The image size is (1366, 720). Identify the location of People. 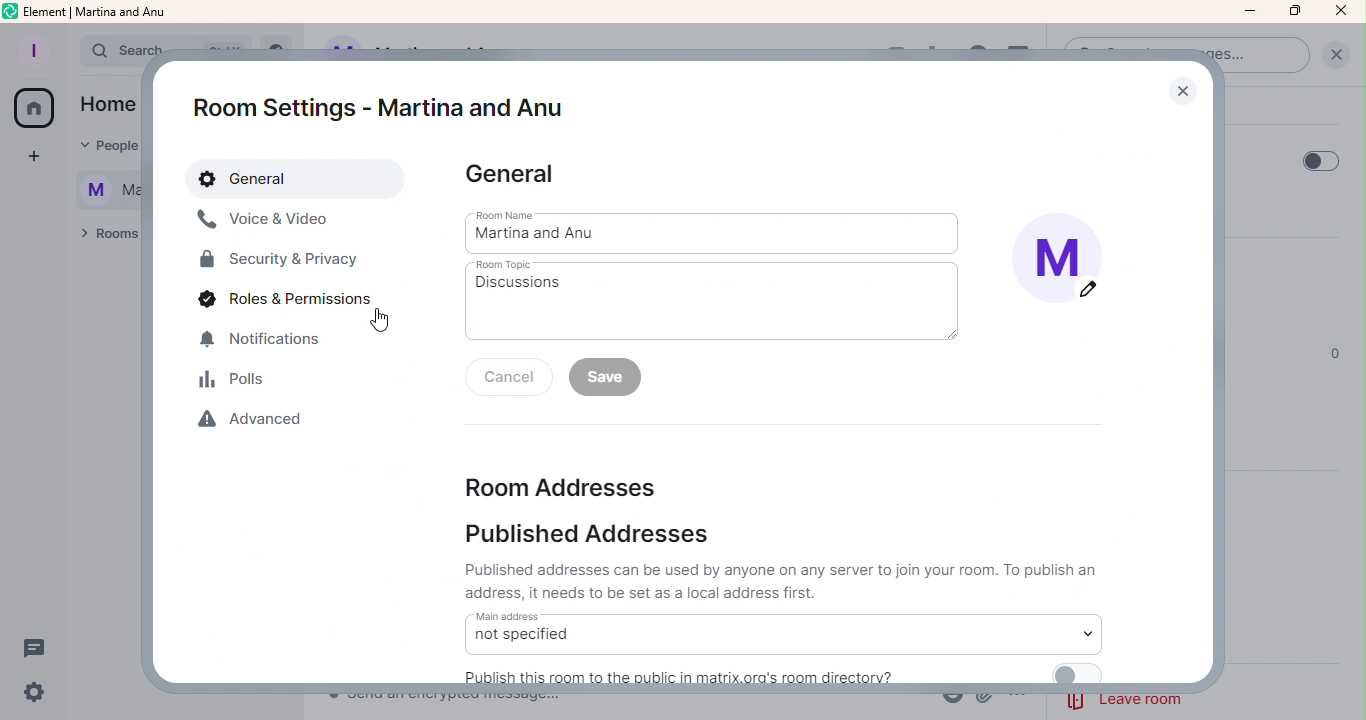
(108, 147).